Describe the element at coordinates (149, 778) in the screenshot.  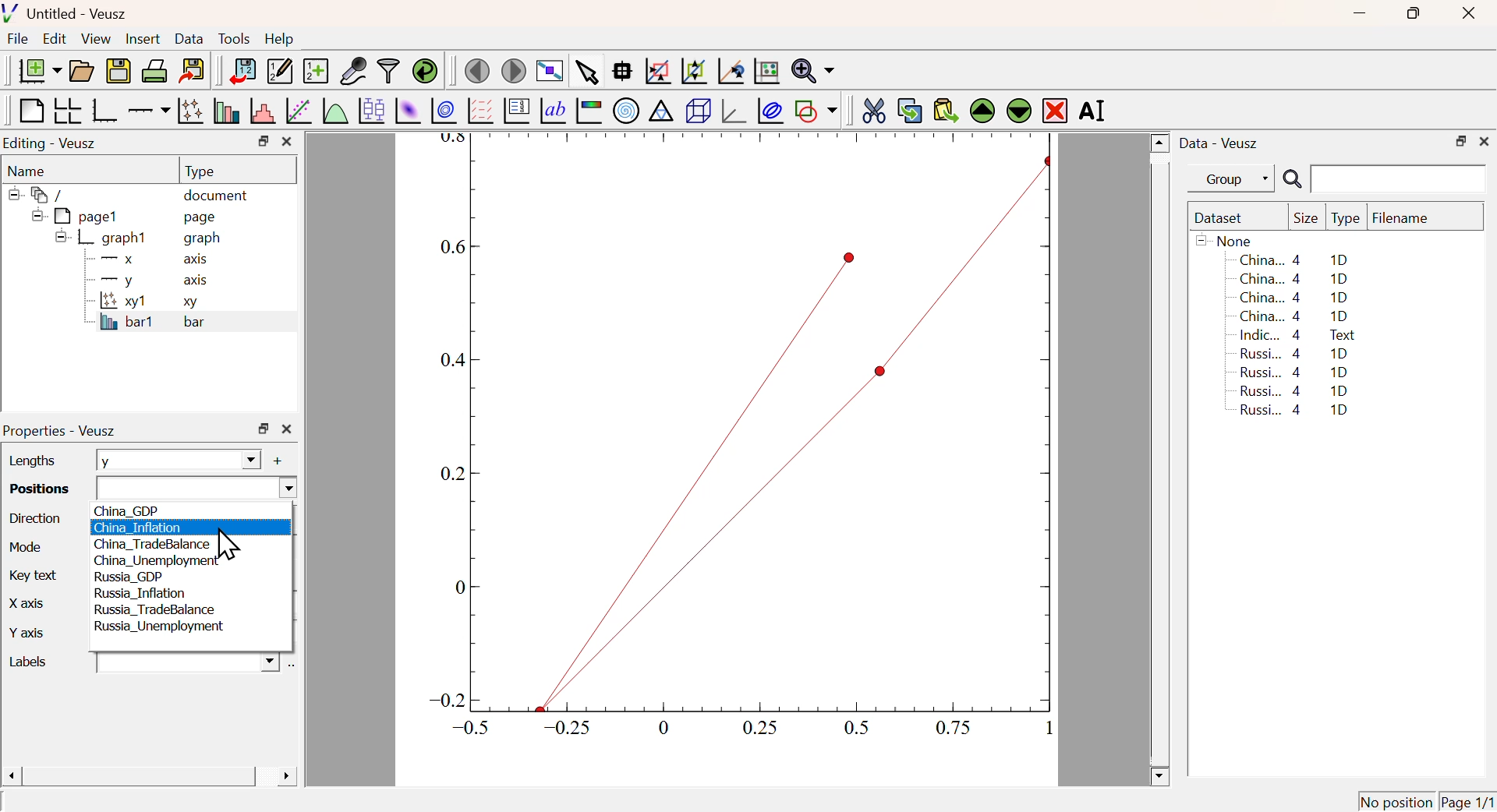
I see `Scroll` at that location.